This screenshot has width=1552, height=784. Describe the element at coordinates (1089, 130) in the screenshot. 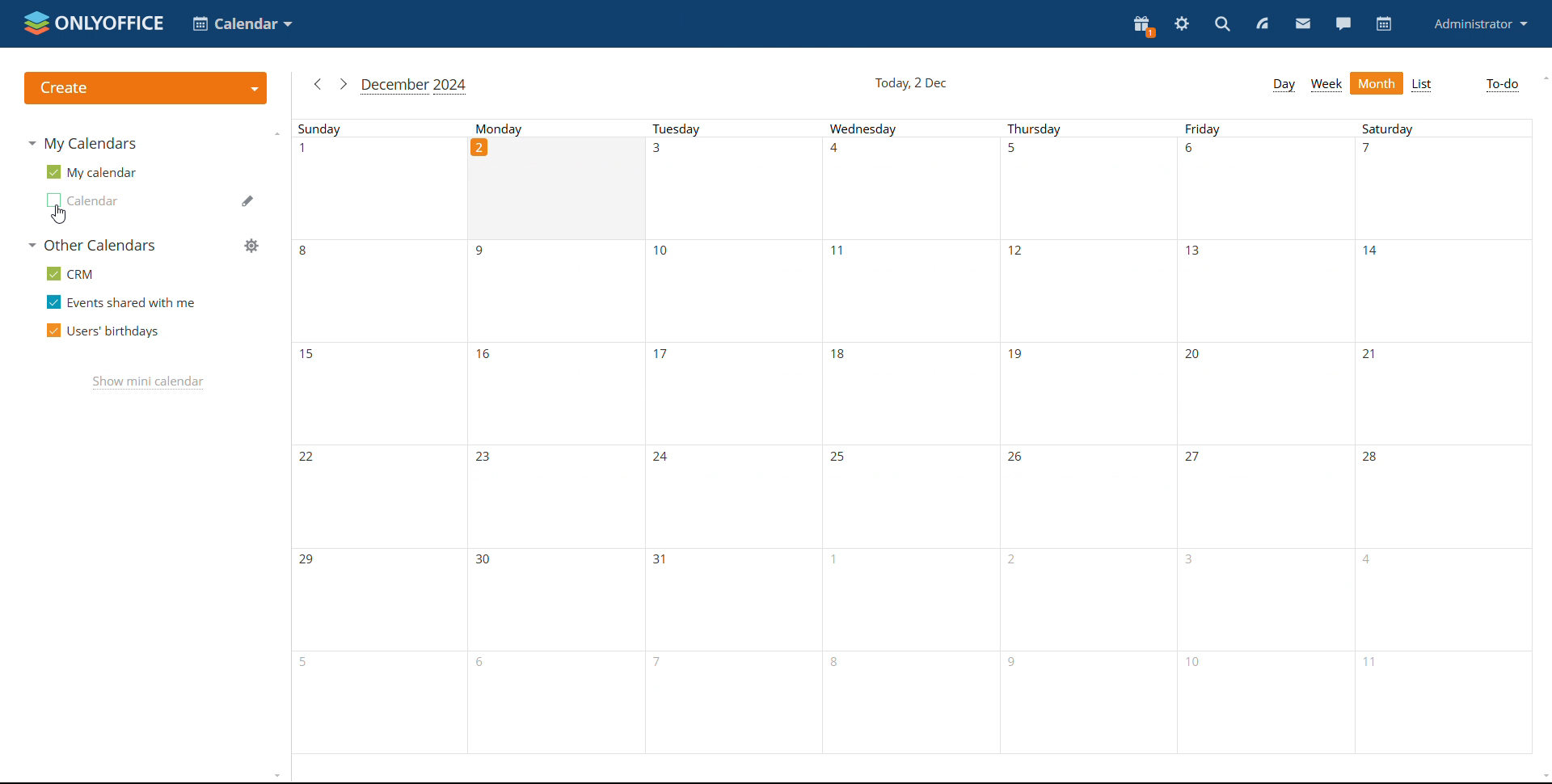

I see `thursday` at that location.